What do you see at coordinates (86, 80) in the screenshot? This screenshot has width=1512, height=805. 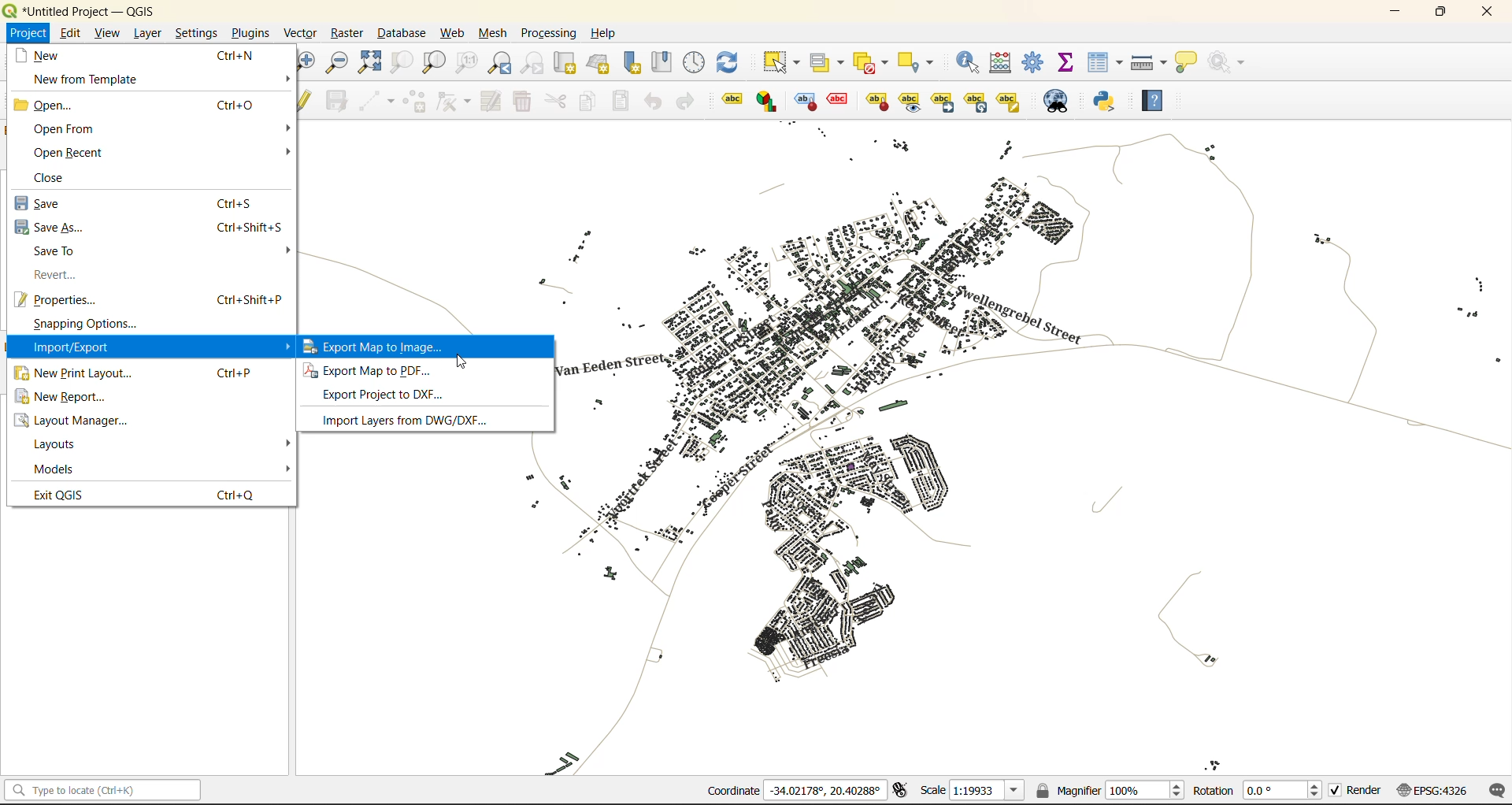 I see `new from template` at bounding box center [86, 80].